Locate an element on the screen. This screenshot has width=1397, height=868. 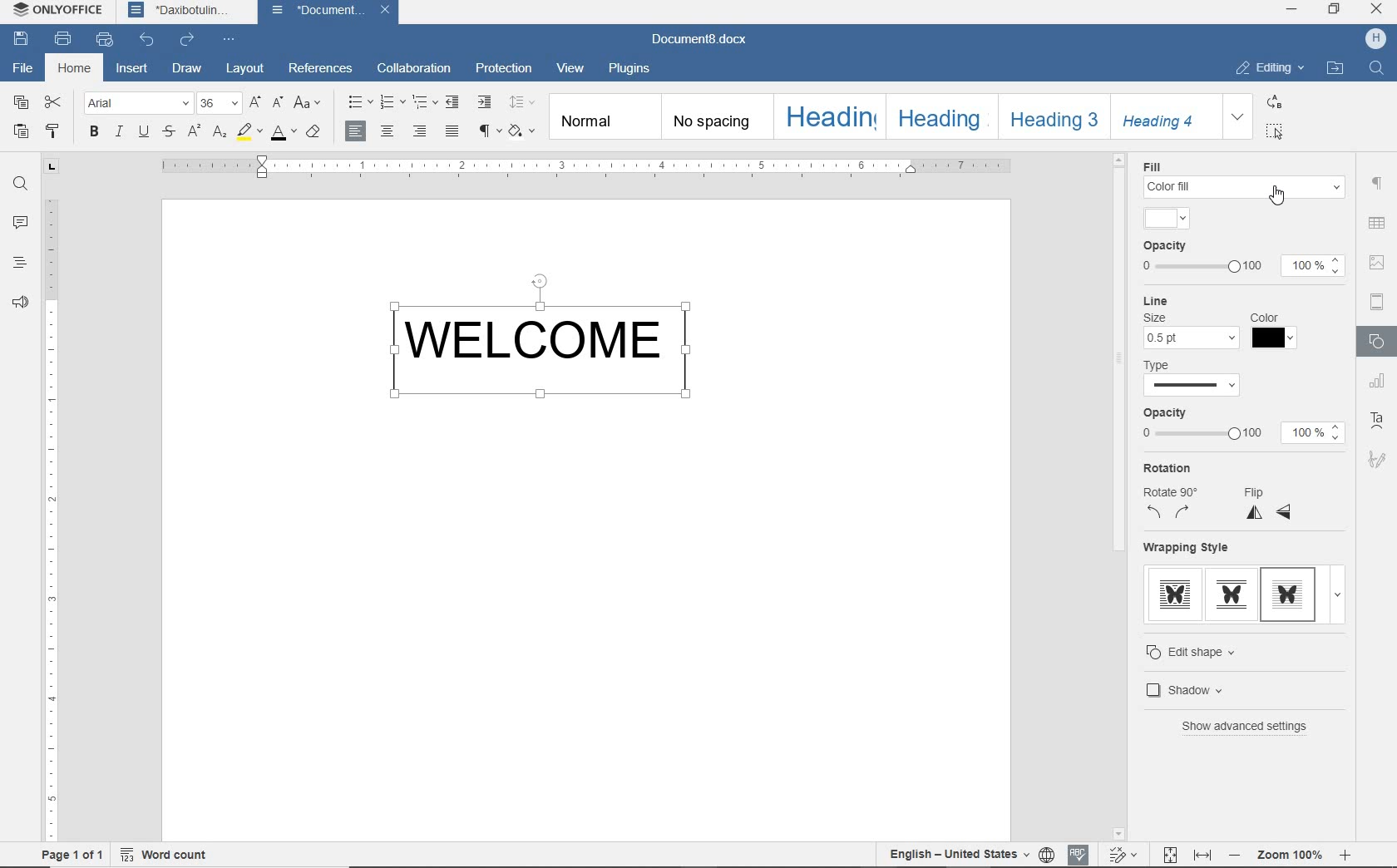
SIGNATURE is located at coordinates (1378, 459).